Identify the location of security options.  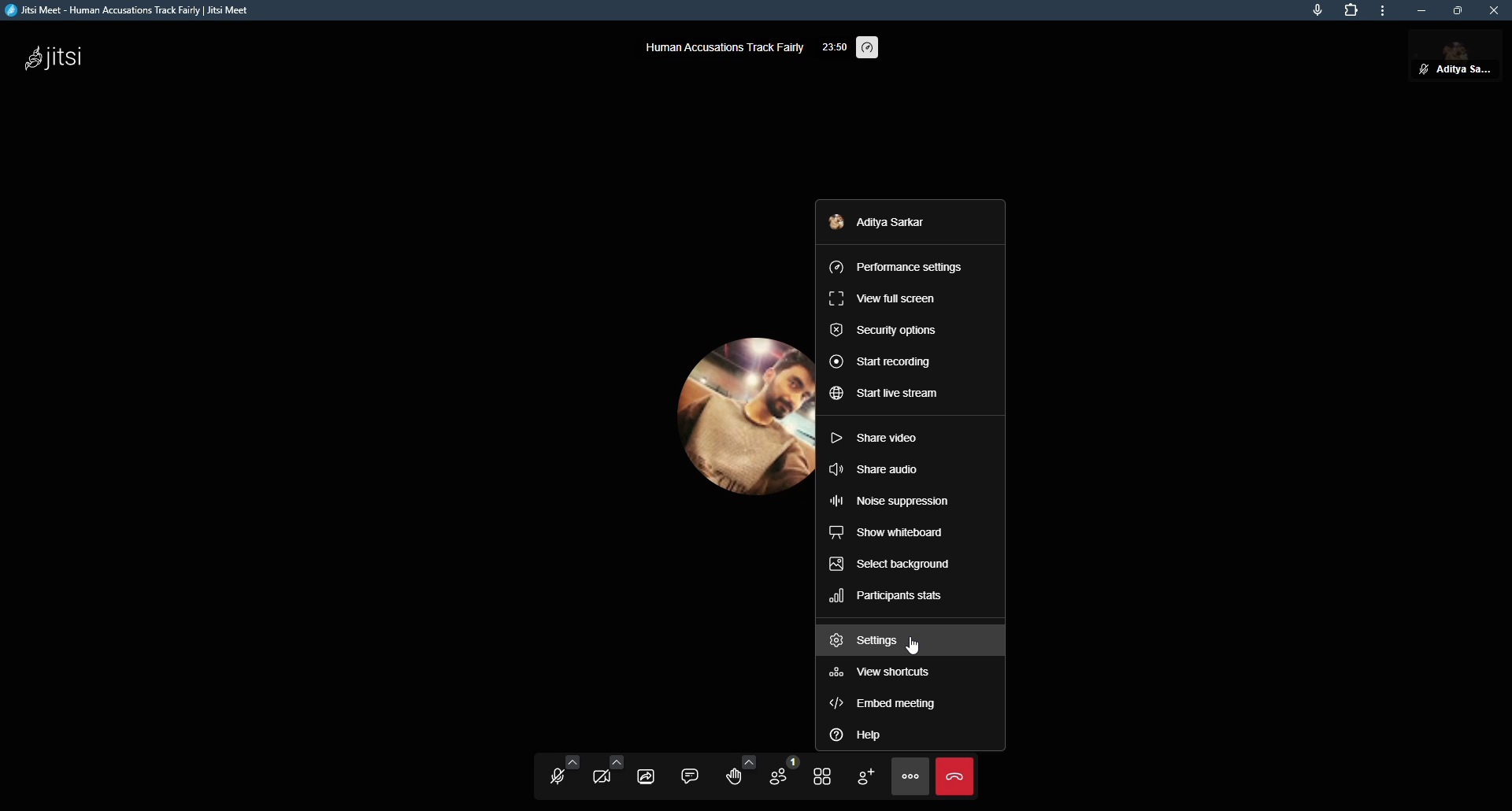
(884, 330).